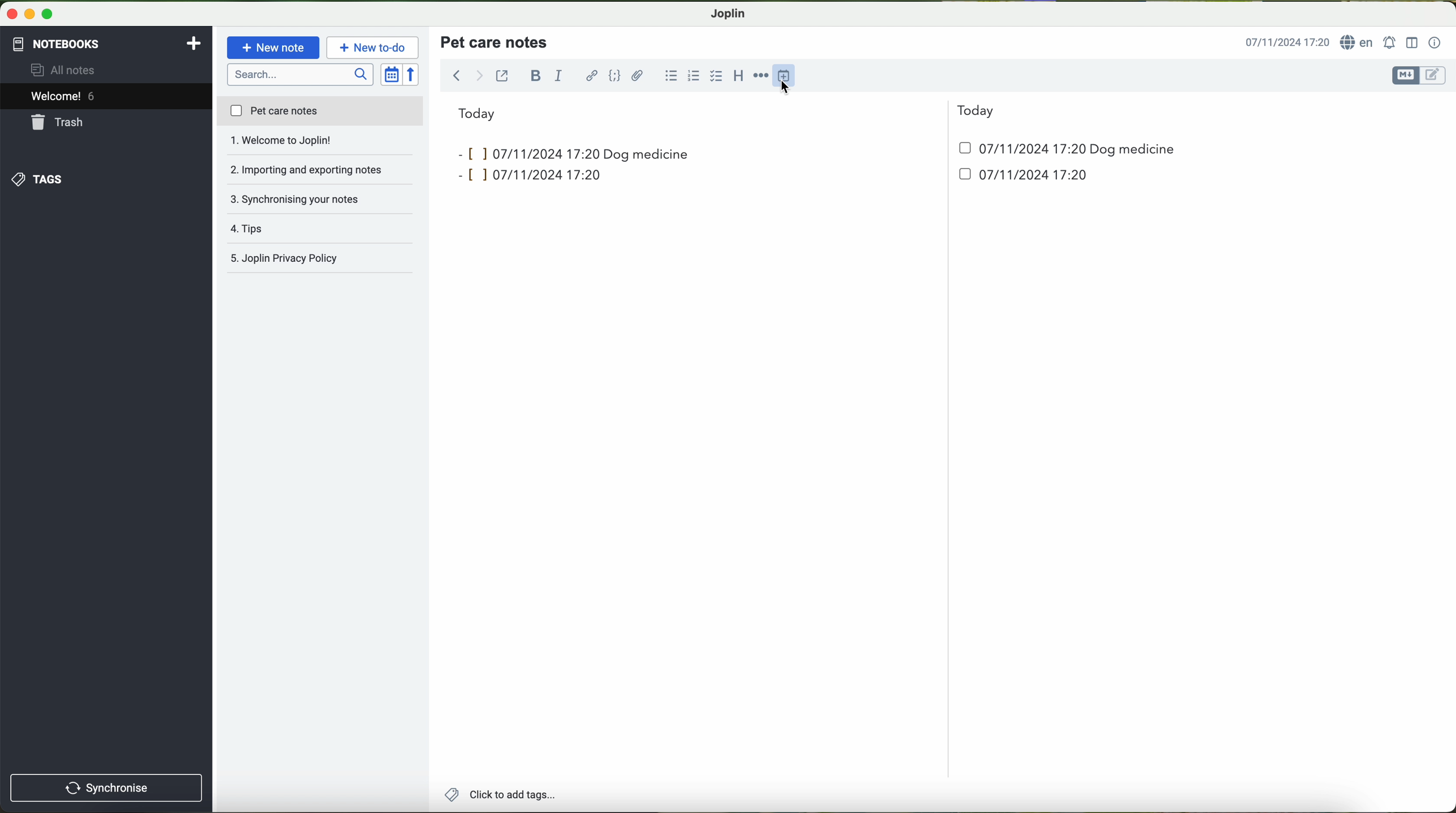 The width and height of the screenshot is (1456, 813). Describe the element at coordinates (66, 71) in the screenshot. I see `all notes` at that location.